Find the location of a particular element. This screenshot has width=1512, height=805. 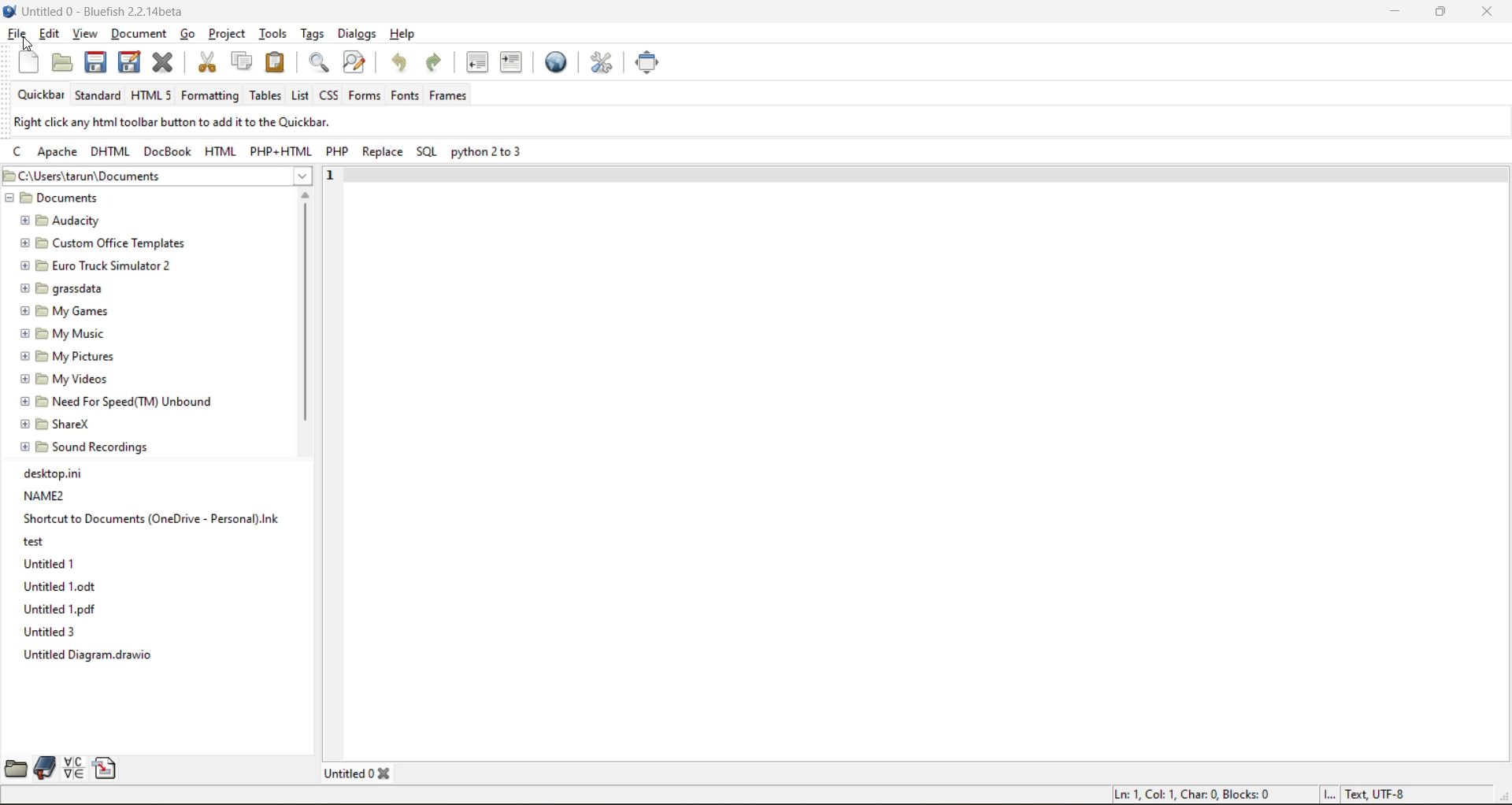

file name and app name is located at coordinates (121, 14).